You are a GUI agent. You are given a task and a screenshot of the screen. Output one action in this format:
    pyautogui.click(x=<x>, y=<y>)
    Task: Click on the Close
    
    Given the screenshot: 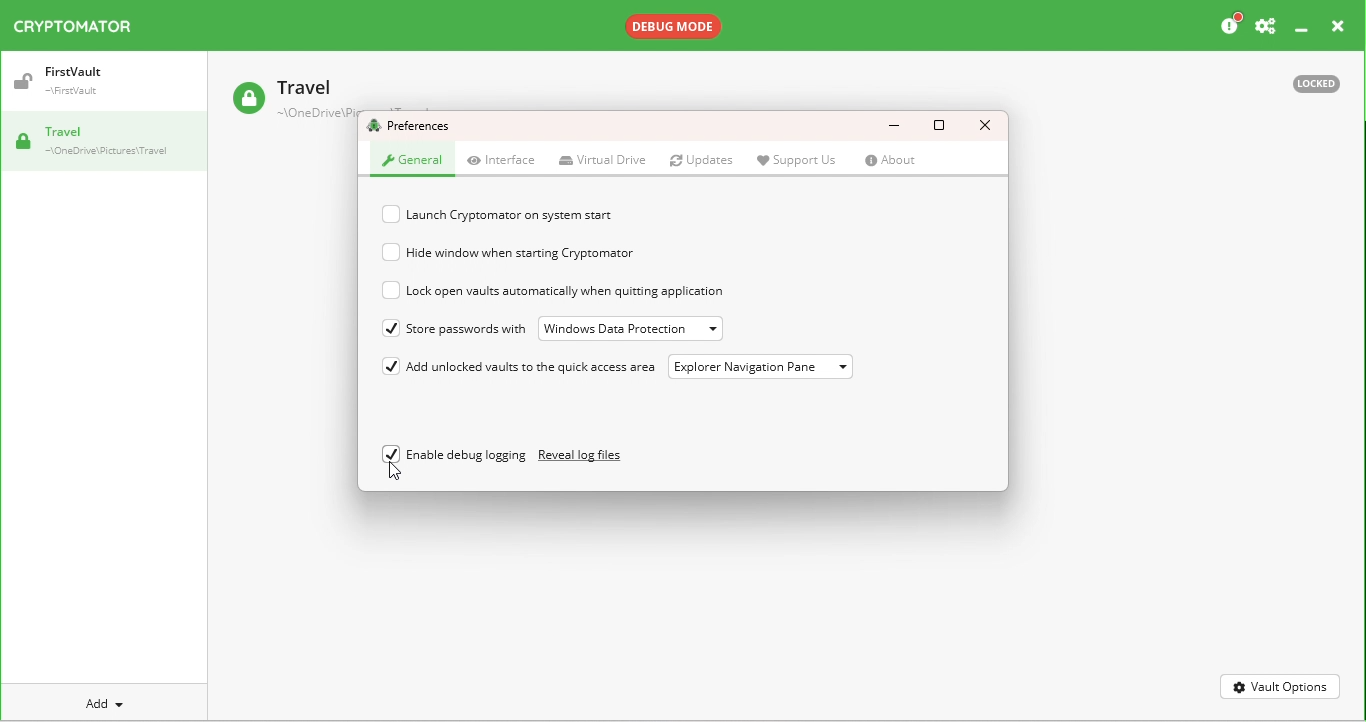 What is the action you would take?
    pyautogui.click(x=1333, y=26)
    